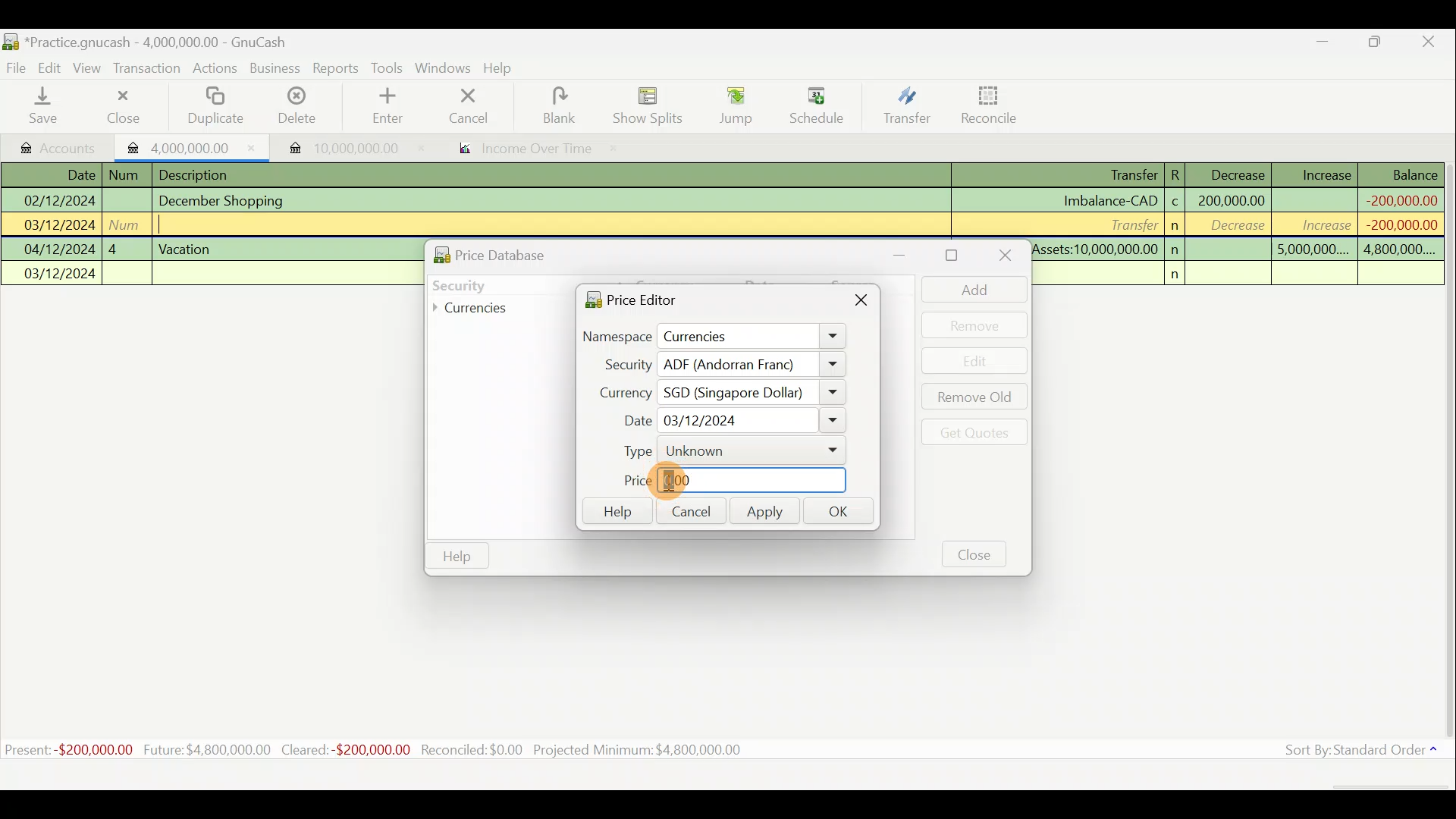 This screenshot has width=1456, height=819. What do you see at coordinates (1398, 250) in the screenshot?
I see `4,800,000` at bounding box center [1398, 250].